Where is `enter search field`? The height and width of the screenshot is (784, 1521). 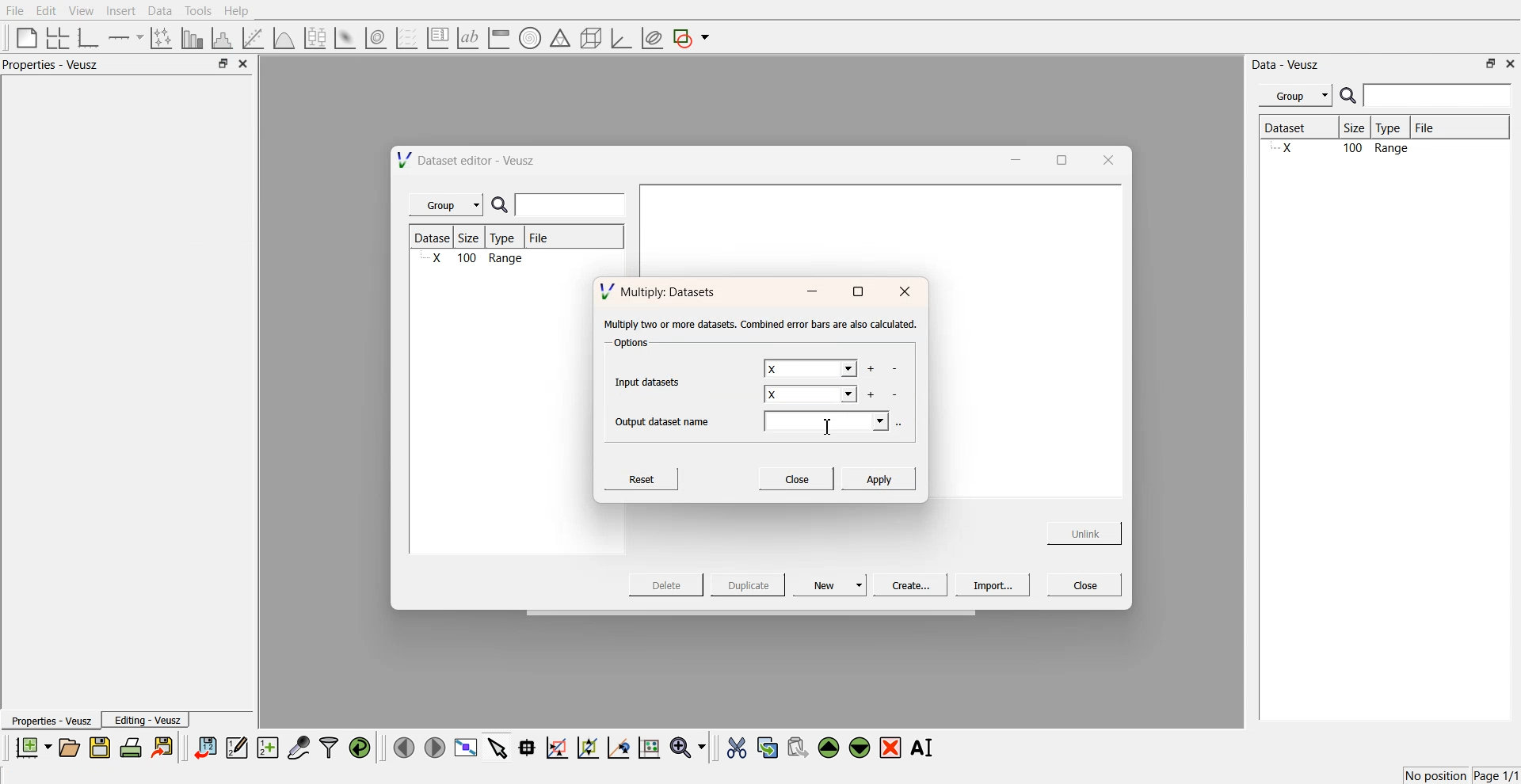 enter search field is located at coordinates (573, 205).